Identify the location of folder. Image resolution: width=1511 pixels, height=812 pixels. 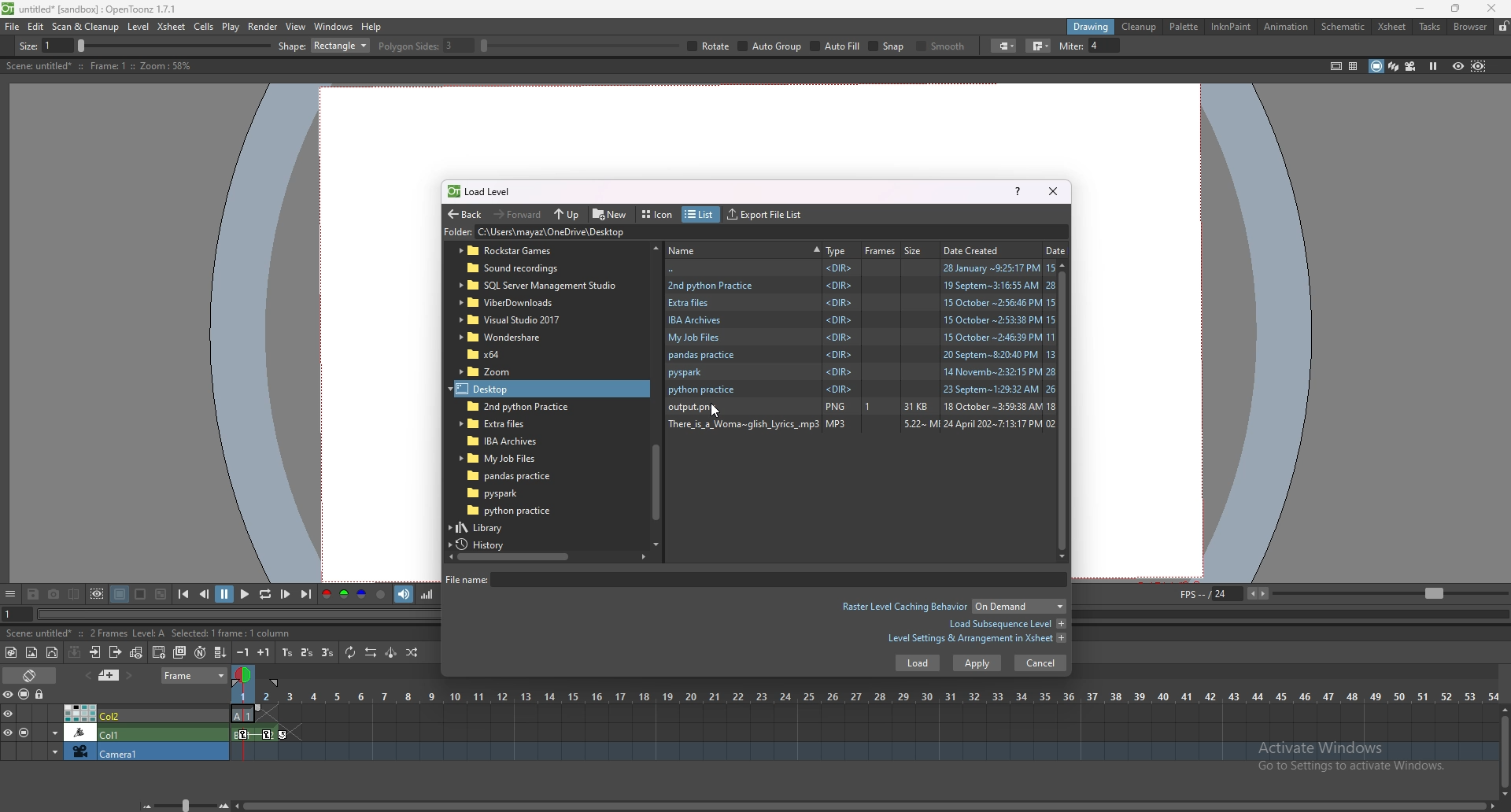
(498, 354).